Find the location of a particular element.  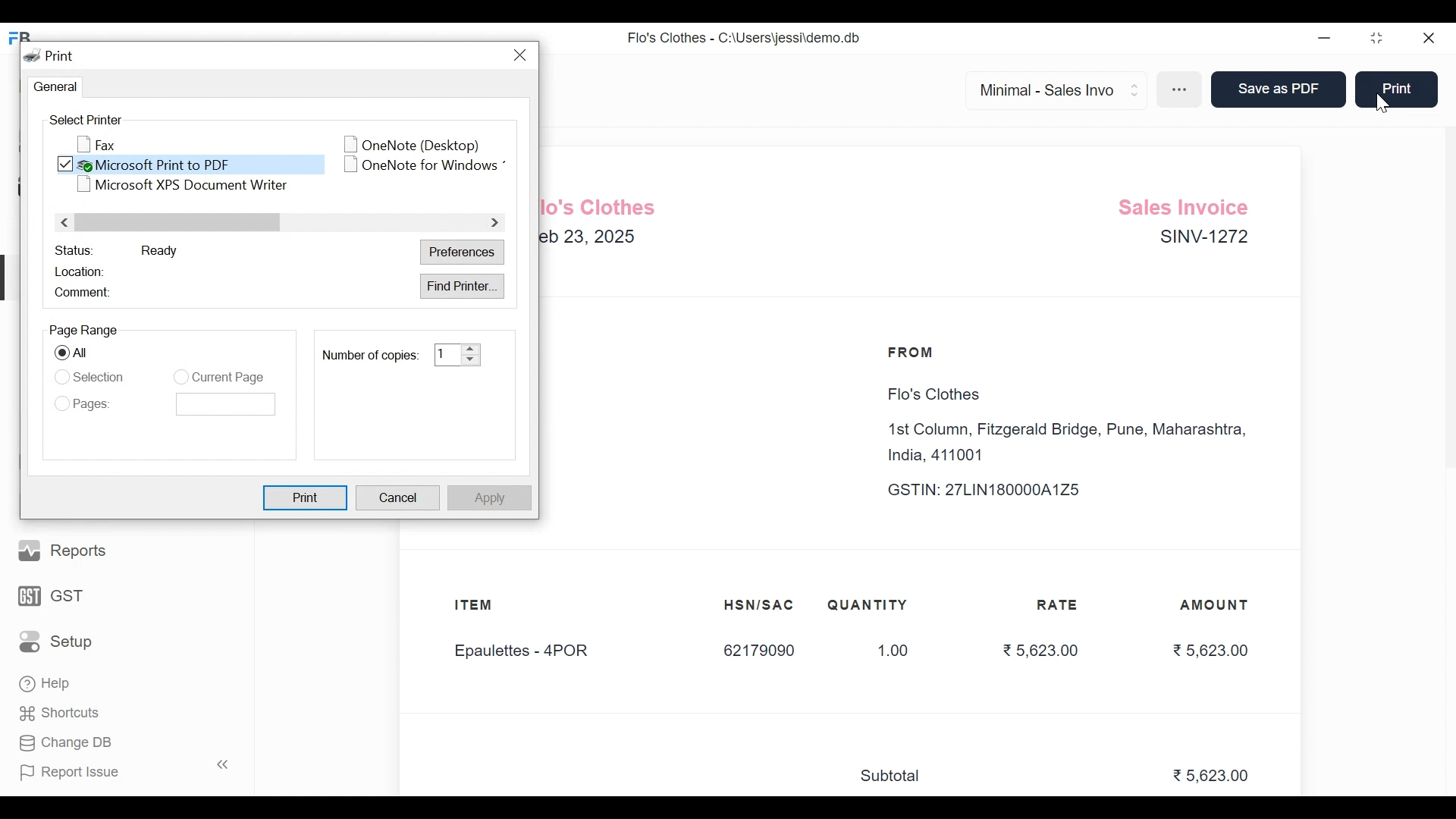

Page Range is located at coordinates (83, 330).